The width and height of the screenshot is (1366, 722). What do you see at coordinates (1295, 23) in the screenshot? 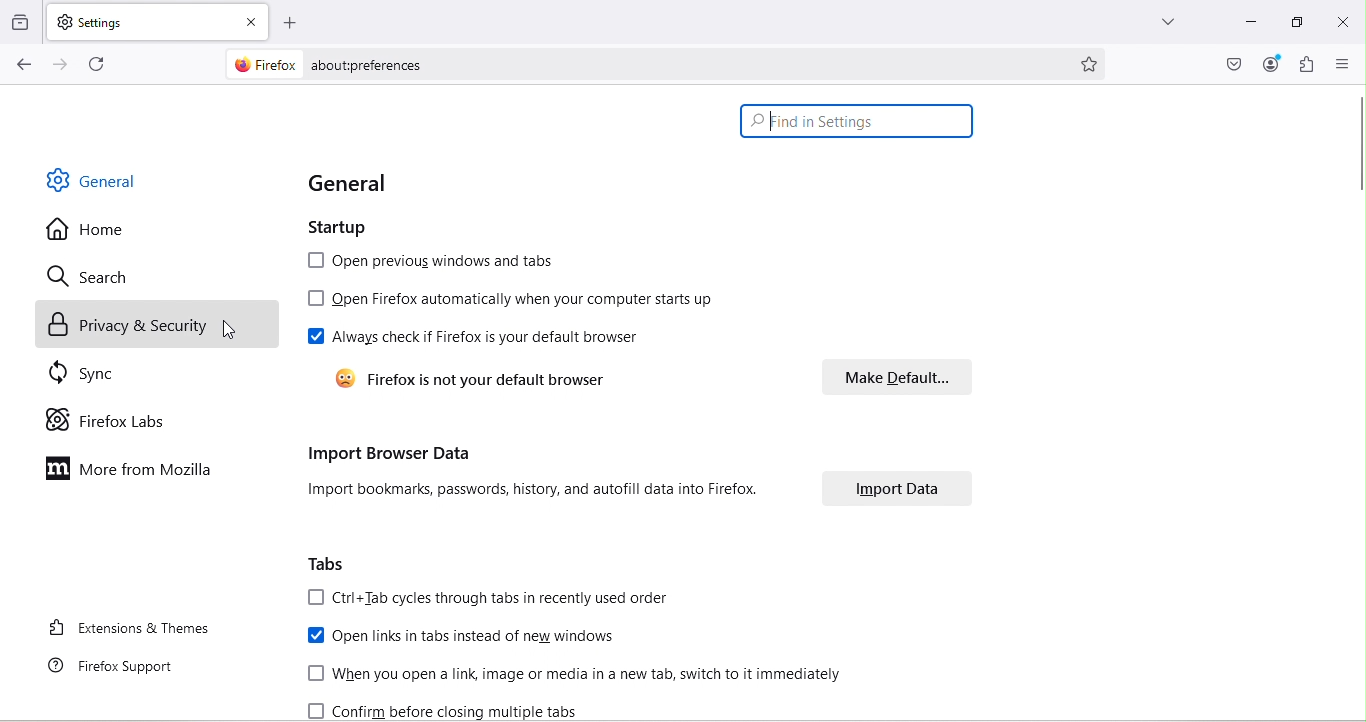
I see `Maximize` at bounding box center [1295, 23].